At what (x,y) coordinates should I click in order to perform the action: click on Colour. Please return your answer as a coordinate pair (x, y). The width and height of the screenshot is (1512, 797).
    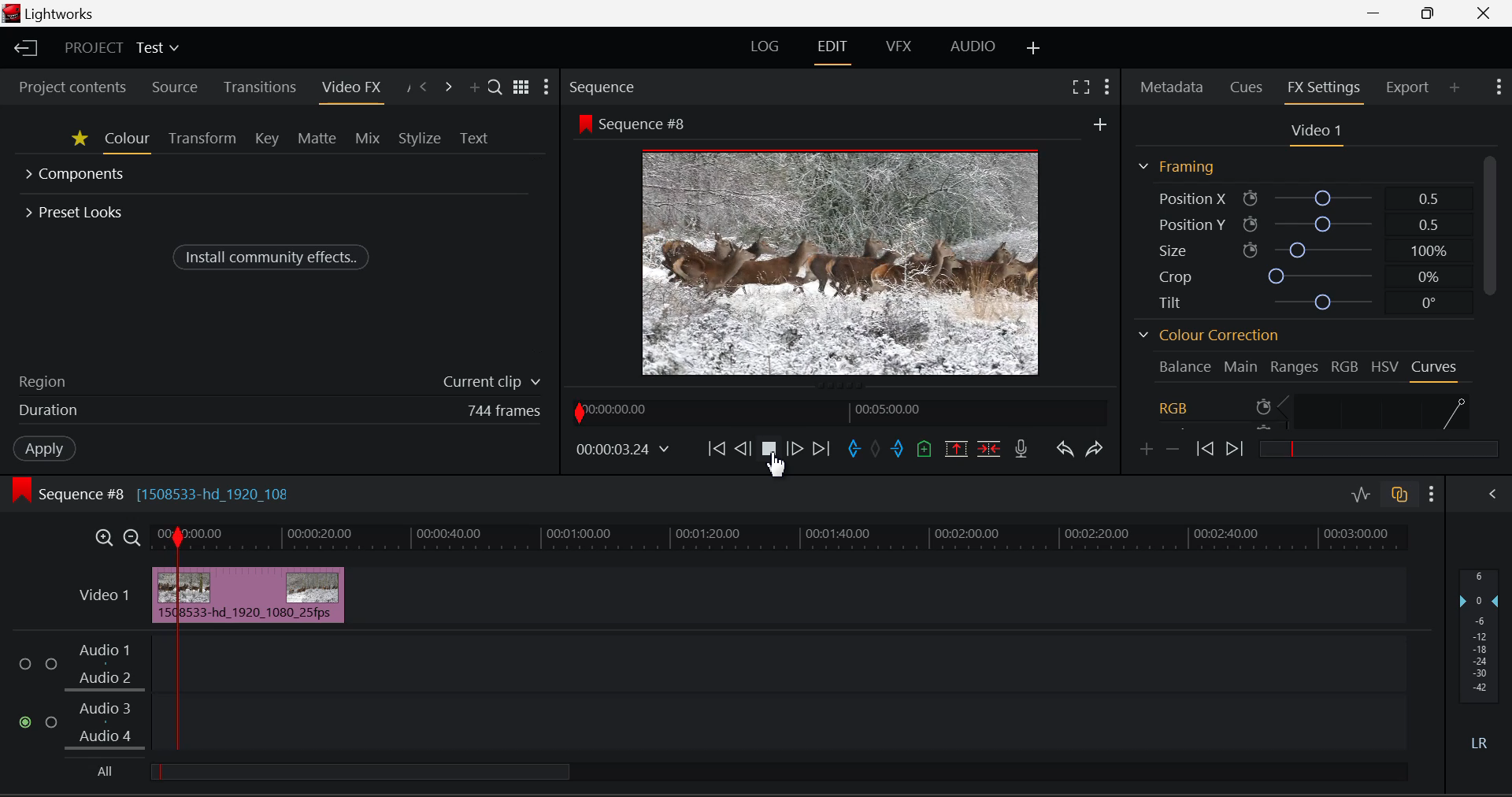
    Looking at the image, I should click on (128, 141).